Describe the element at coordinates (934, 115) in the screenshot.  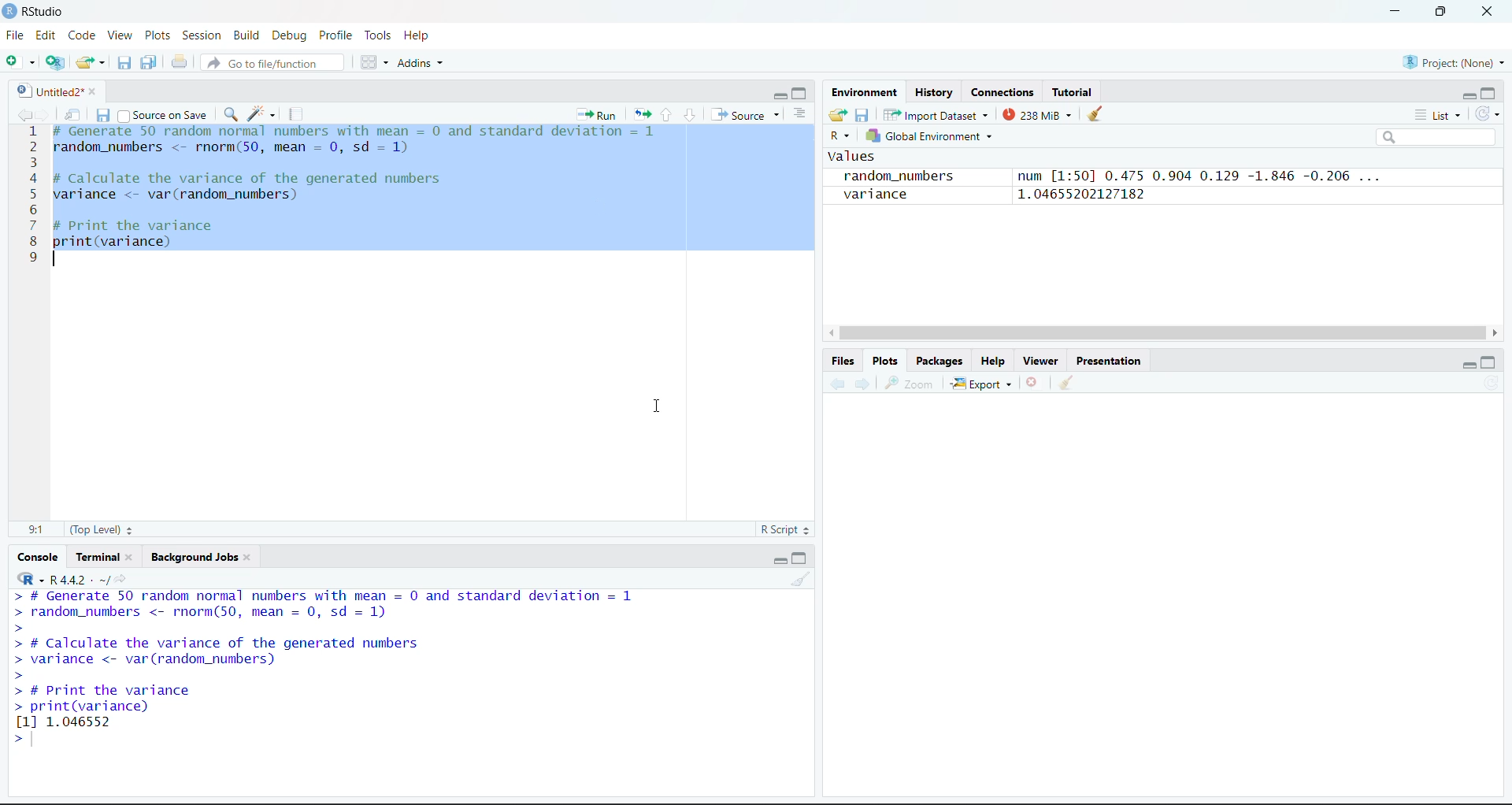
I see `import dataset` at that location.